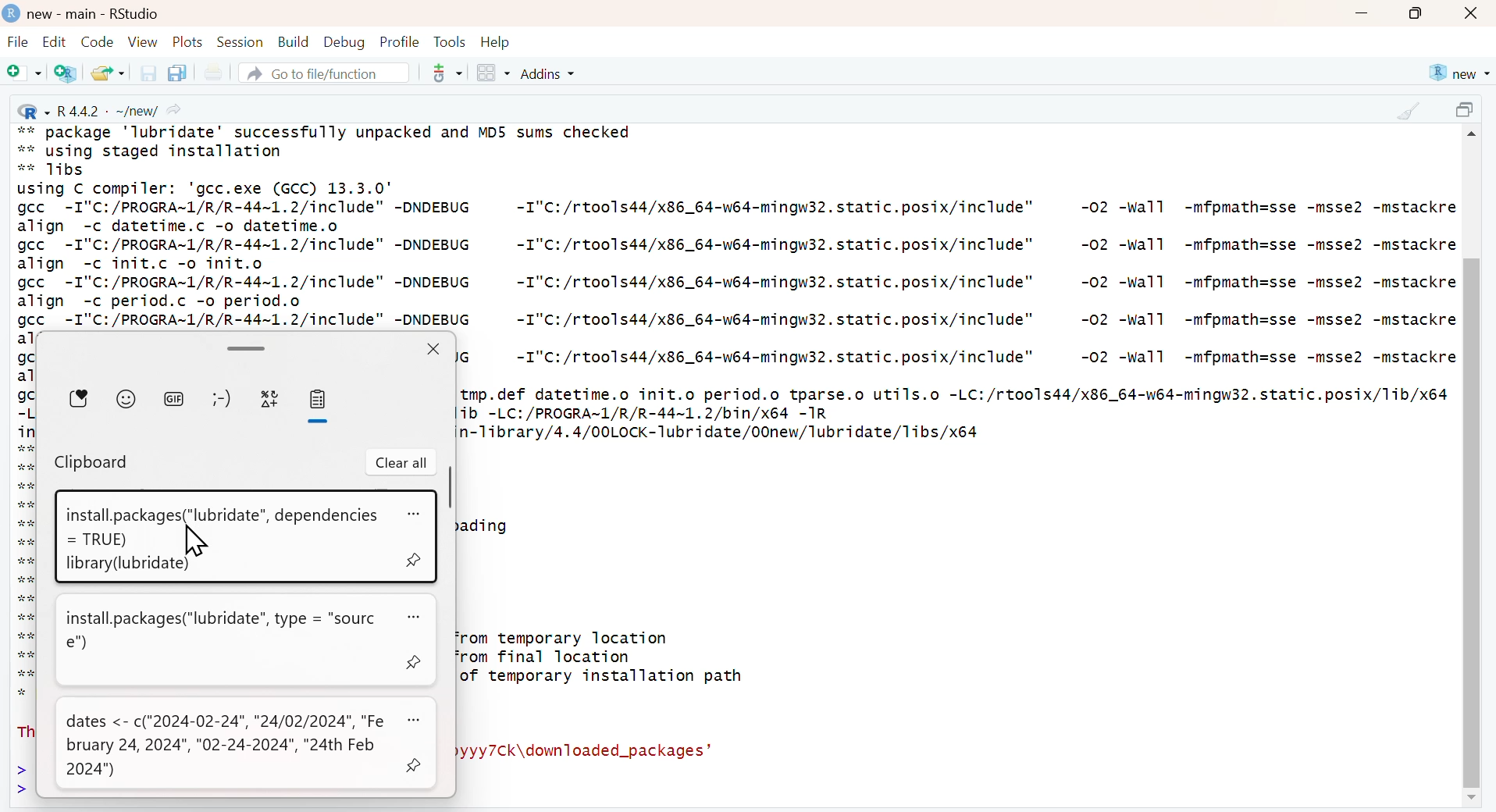  I want to click on using C compiler: 'gcc.exe (GCC) 13.3.0°

gcc -I"C:/PROGRA~1/R/R-44~1.2/include" -DNDEBUG -I"C:/rtools44/x86_64-w64-mingw32.static.posix/include"” -02 -wall -mfpmath=sse -msse2 -mstackre
align -c datetime.c -o datetime.o

gcc -I"C:/PROGRA~1/R/R-44~1.2/include" -DNDEBUG -I"C:/rtools44/x86_64-w64-mingw32.static.posix/include"” -02 -wall -mfpmath=sse -msse2 -mstackre
align -c init.c -o init.o

gcc -I"C:/PROGRA~1/R/R-44~1.2/include" -DNDEBUG -I"C:/rtools44/x86_64-w64-mingw32.static.posix/include"” -02 -wall -mfpmath=sse -msse2 -mstackre
align -c period.c -o period.o

gcc -I"C:/PROGRA~1/R/R-44~1.2/include" -DNDEBUG -I"C:/rtools44/x86_64-w64-mingw32.static.posix/include"” -02 -wall -mfpmath=sse -msse2 -mstackre
align -c tparse.c -o tparse.o

gcc -I"C:/PROGRA~1/R/R-44~1.2/include"” -DNDEBUG -I"C:/rtools44/x86_64-w64-mingw32.static.posix/include"” -02 -wall -mfpmath=sse -msse2 -mstackre
align -c utils.c -o utils.o, so click(736, 254).